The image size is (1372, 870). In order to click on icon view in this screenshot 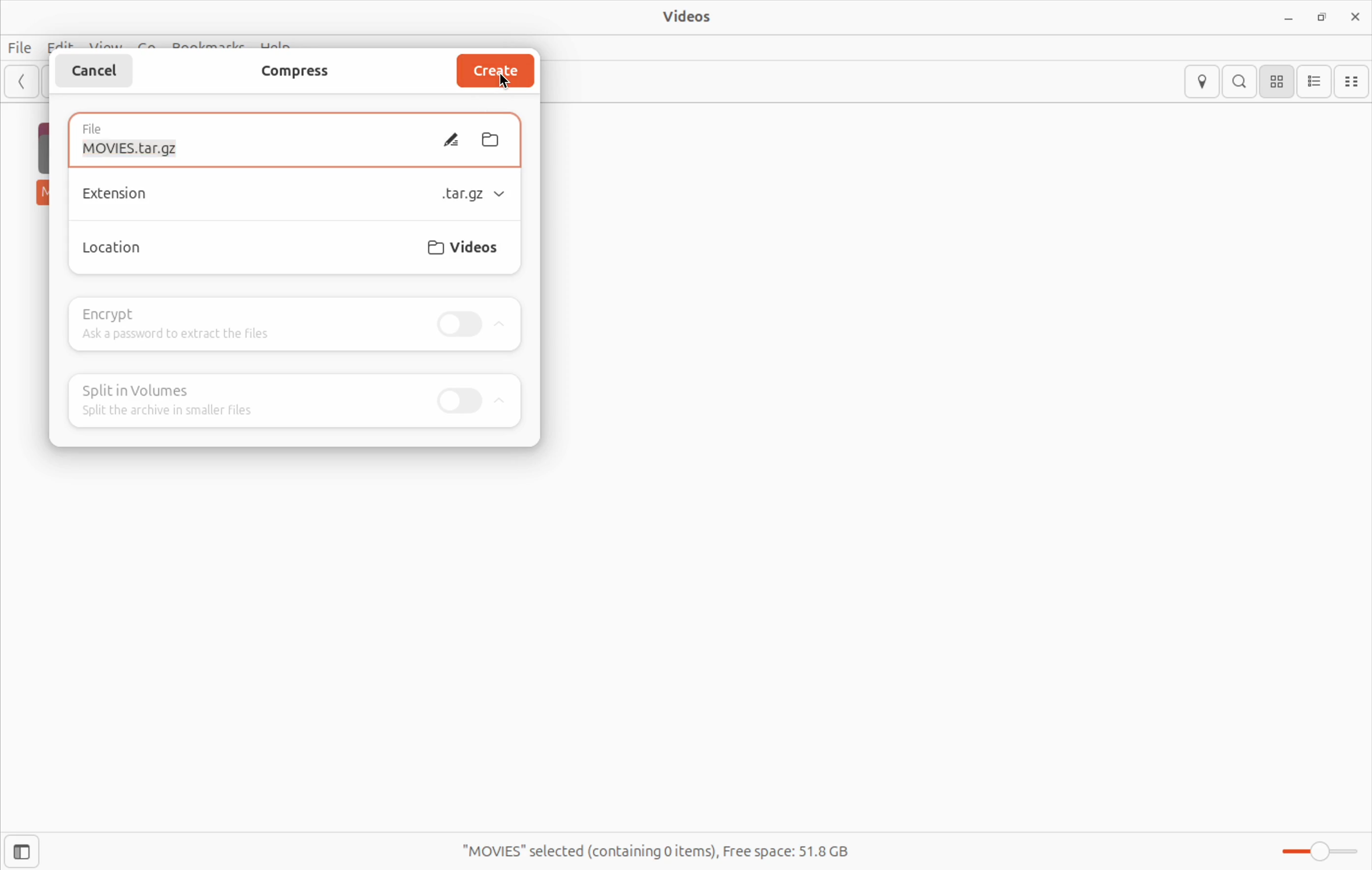, I will do `click(1276, 83)`.